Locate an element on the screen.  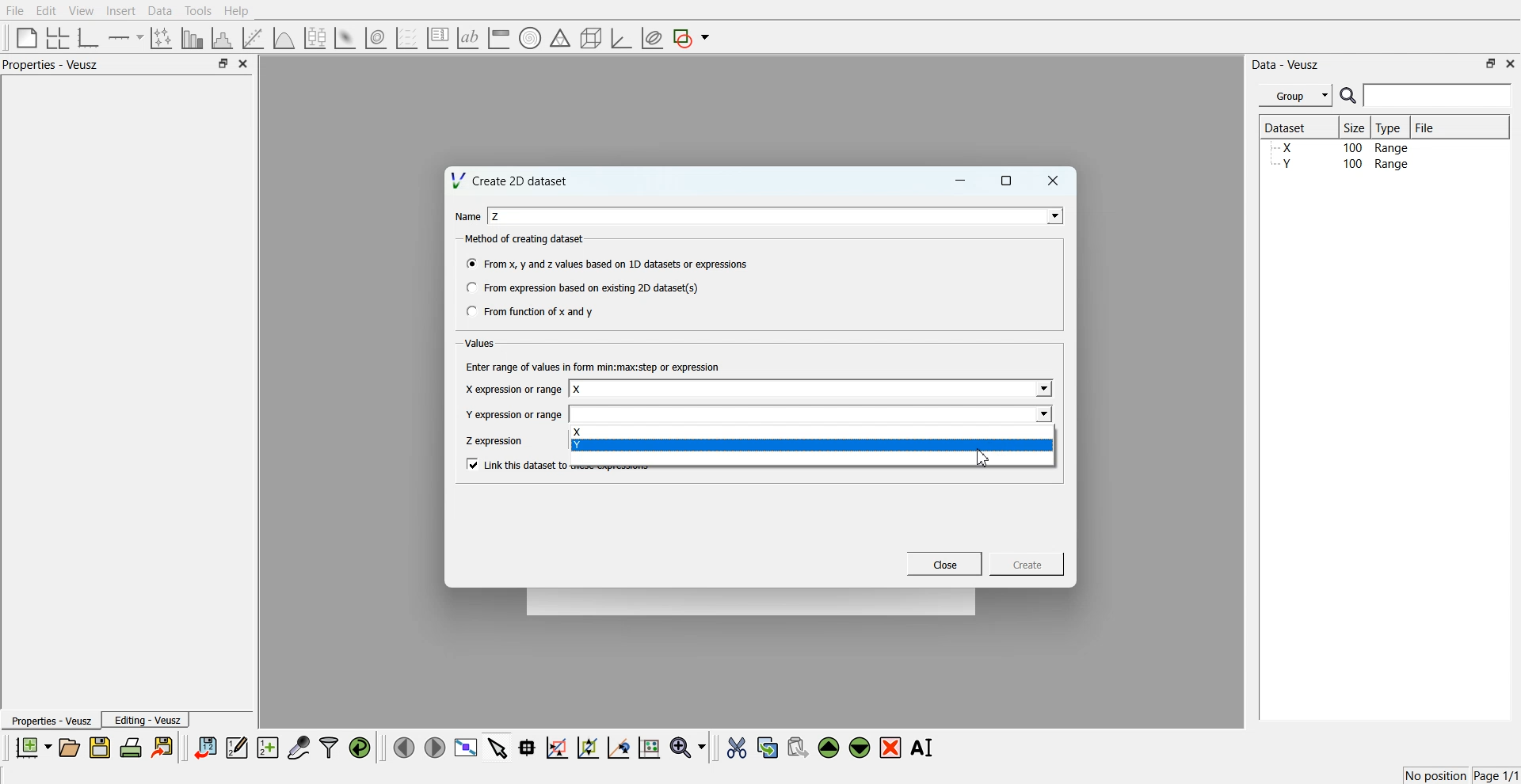
Create new dataset for ranging is located at coordinates (267, 748).